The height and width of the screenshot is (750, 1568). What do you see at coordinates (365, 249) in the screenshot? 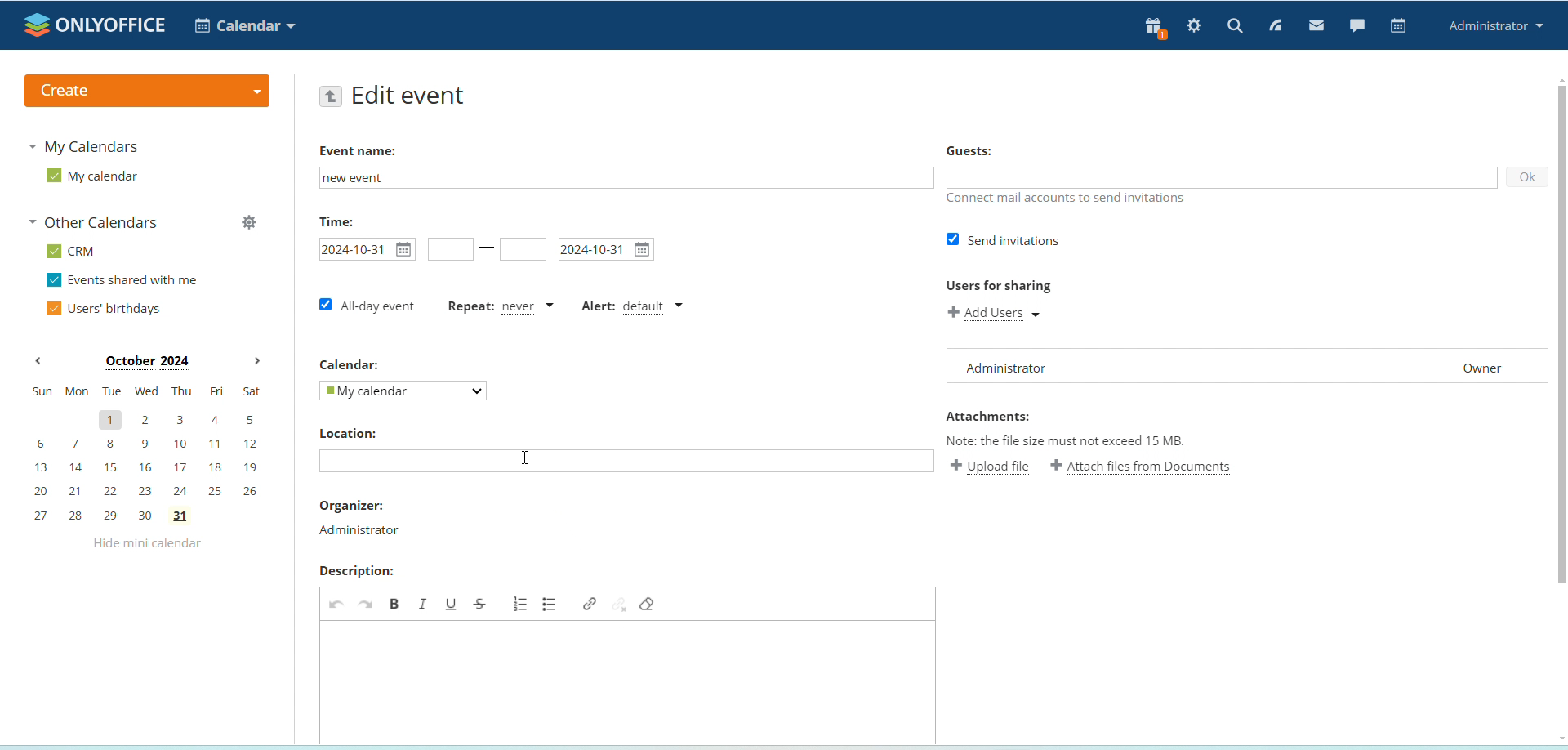
I see `event start time` at bounding box center [365, 249].